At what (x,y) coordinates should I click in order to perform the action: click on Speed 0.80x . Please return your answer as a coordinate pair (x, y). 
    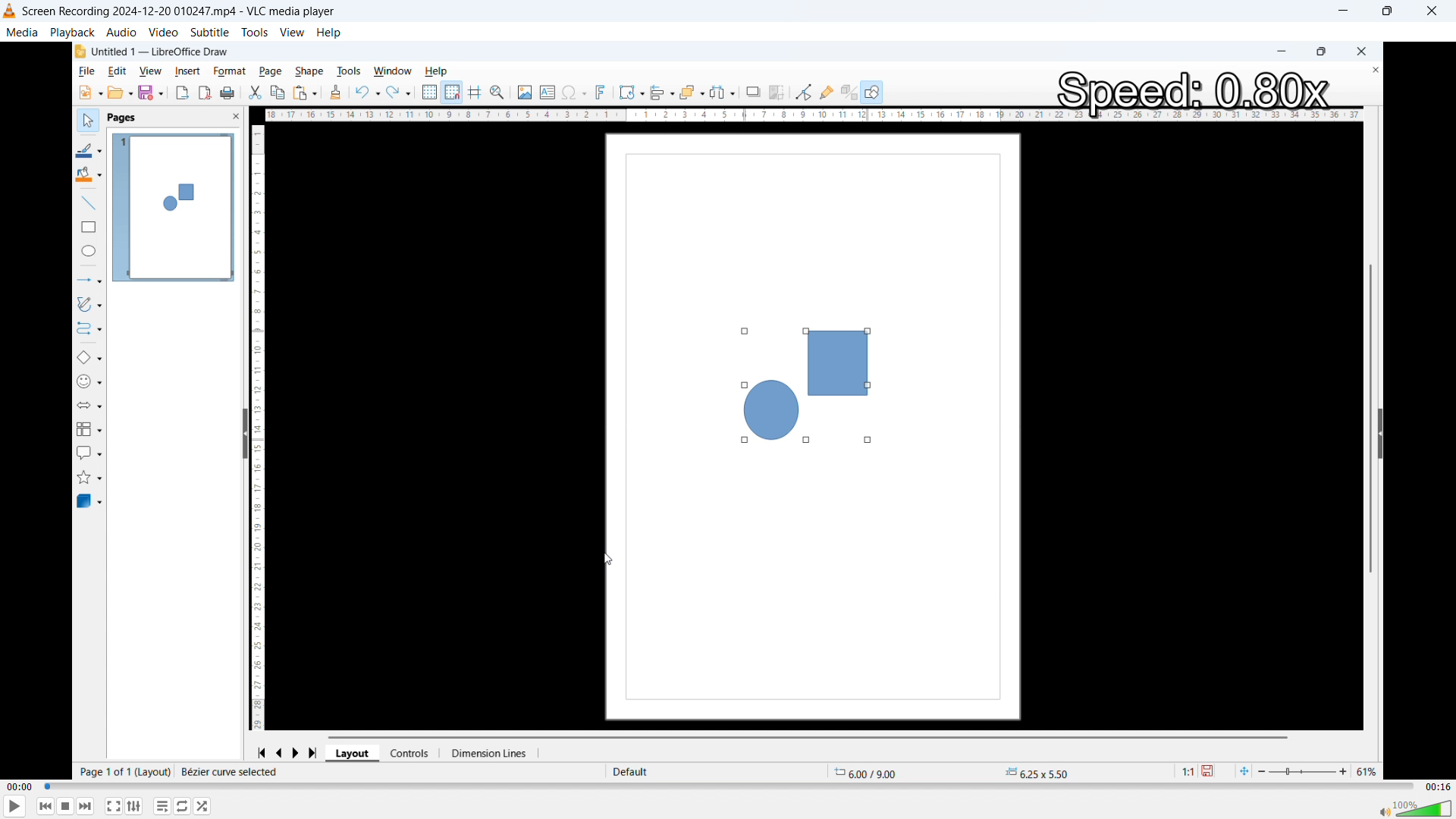
    Looking at the image, I should click on (1194, 90).